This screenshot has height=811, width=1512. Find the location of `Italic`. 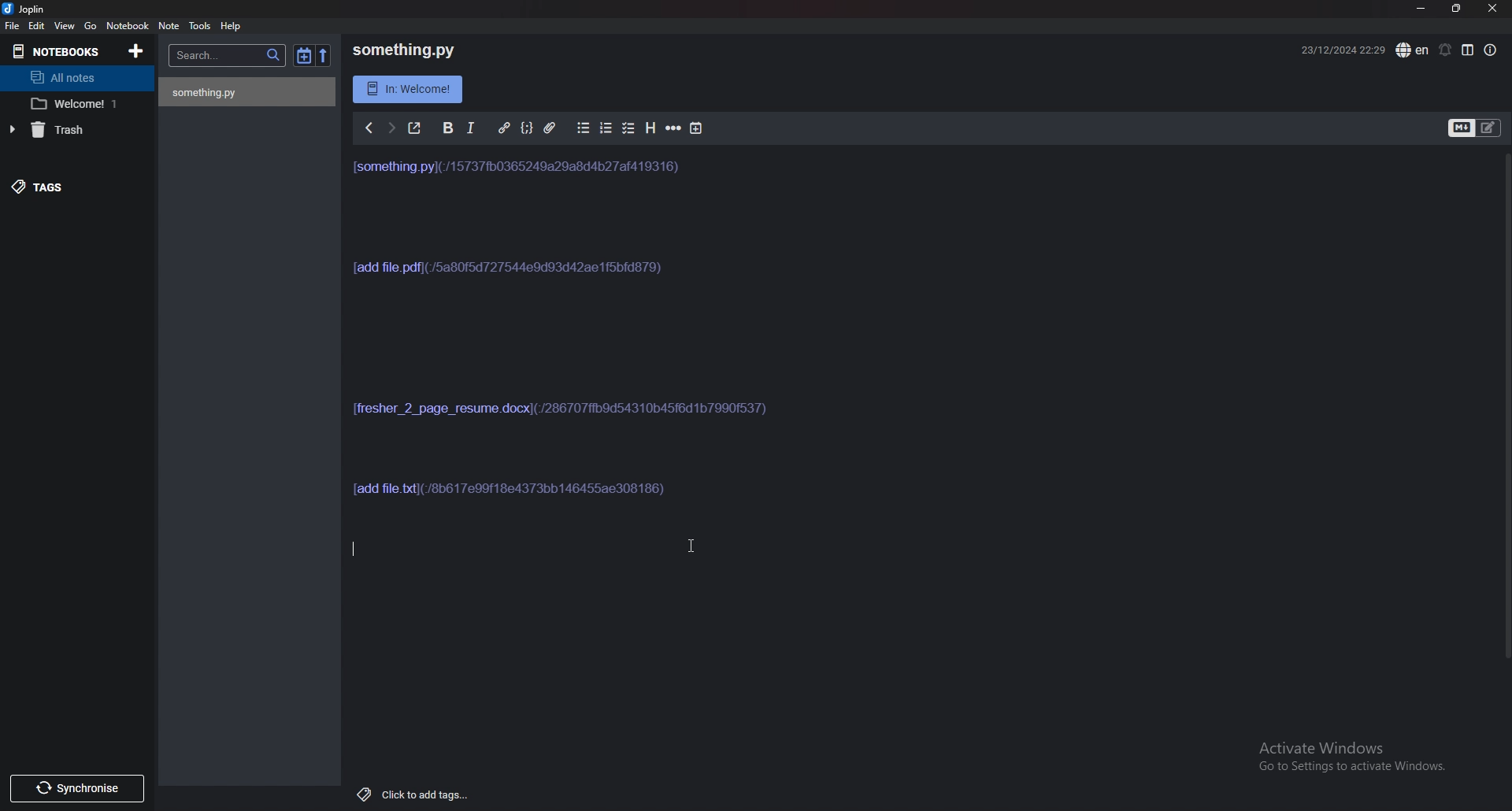

Italic is located at coordinates (472, 128).